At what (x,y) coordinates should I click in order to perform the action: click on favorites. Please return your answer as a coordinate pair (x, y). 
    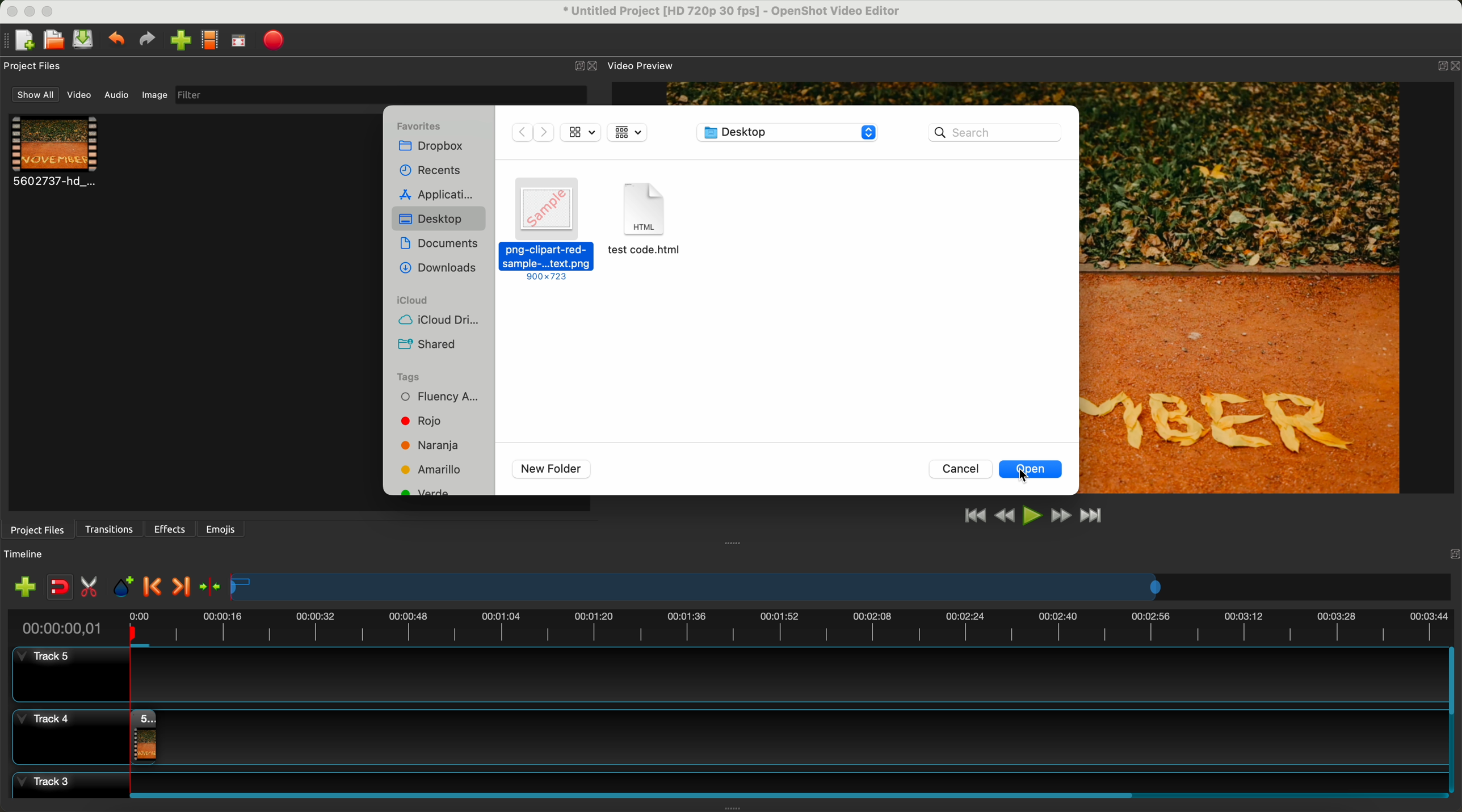
    Looking at the image, I should click on (422, 124).